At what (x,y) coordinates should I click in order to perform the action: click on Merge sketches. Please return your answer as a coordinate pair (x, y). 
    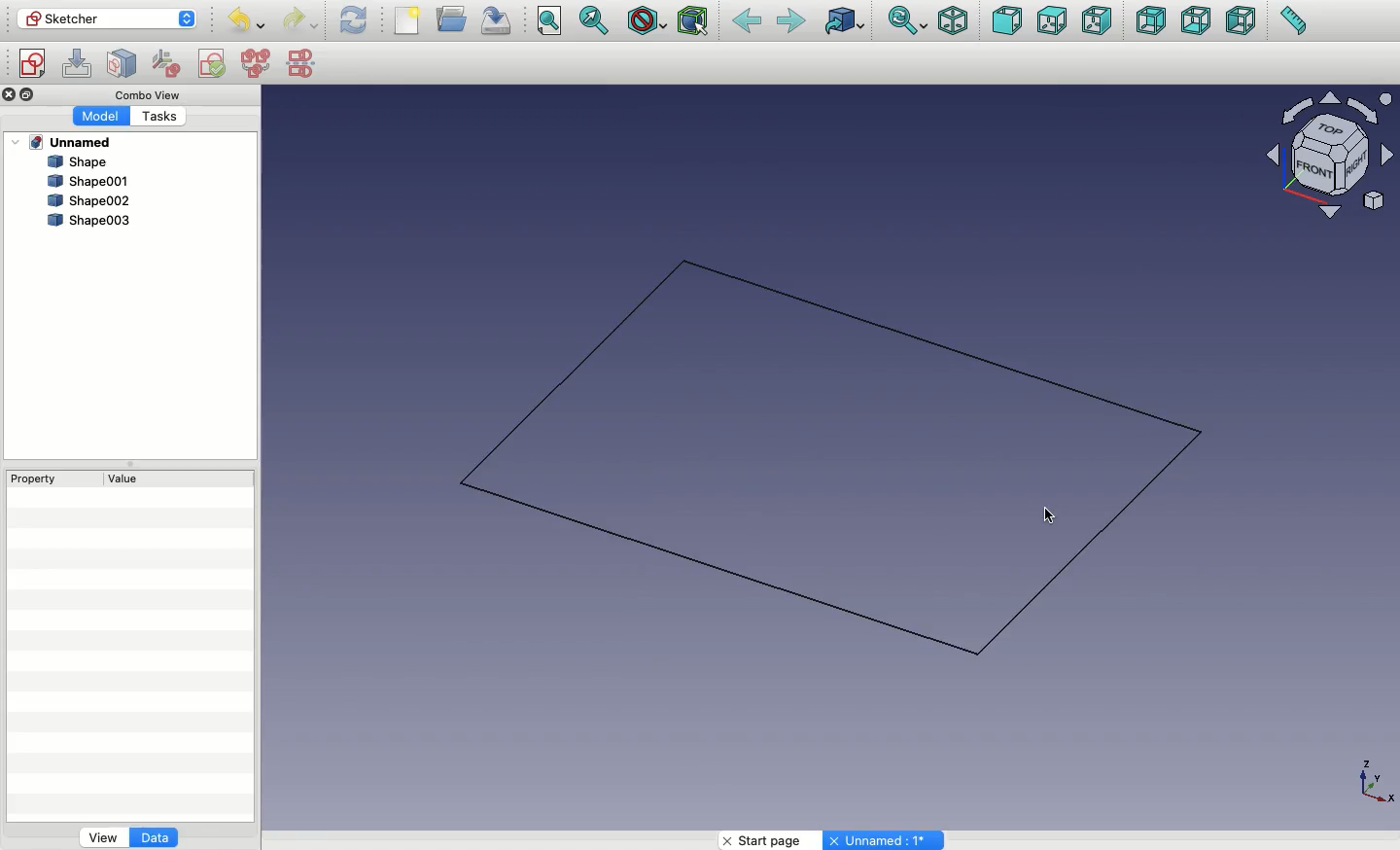
    Looking at the image, I should click on (256, 64).